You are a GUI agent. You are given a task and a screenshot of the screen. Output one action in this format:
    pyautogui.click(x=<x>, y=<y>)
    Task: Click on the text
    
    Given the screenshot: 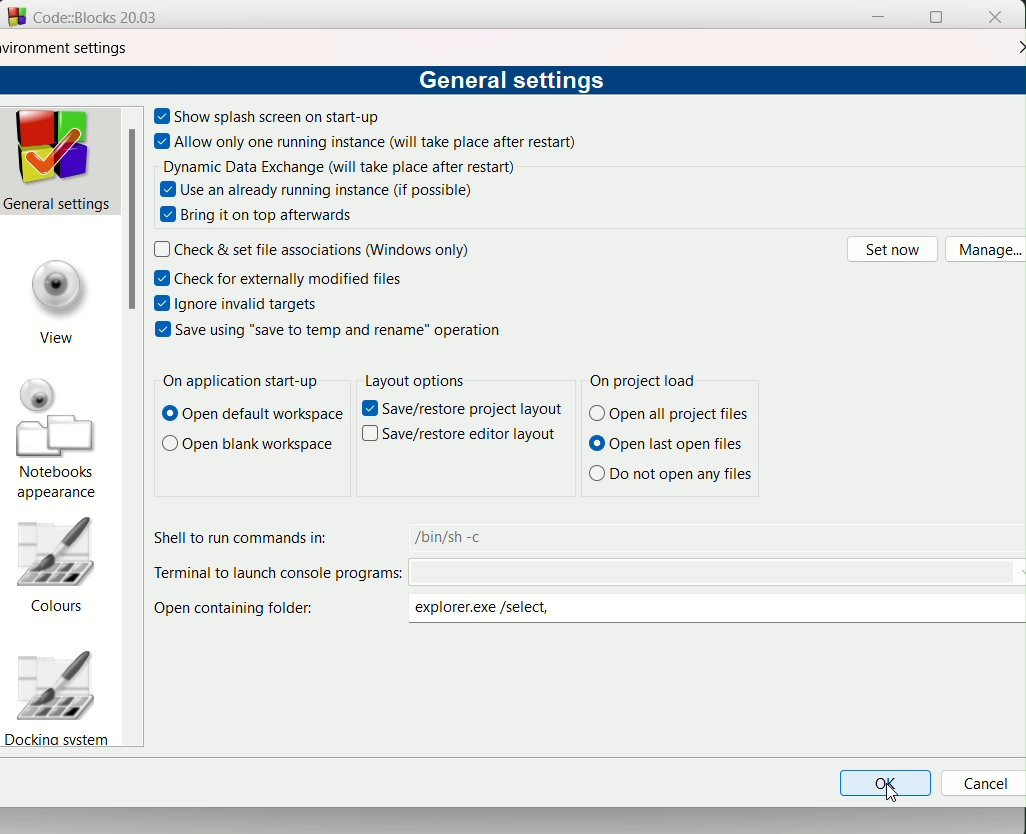 What is the action you would take?
    pyautogui.click(x=339, y=189)
    